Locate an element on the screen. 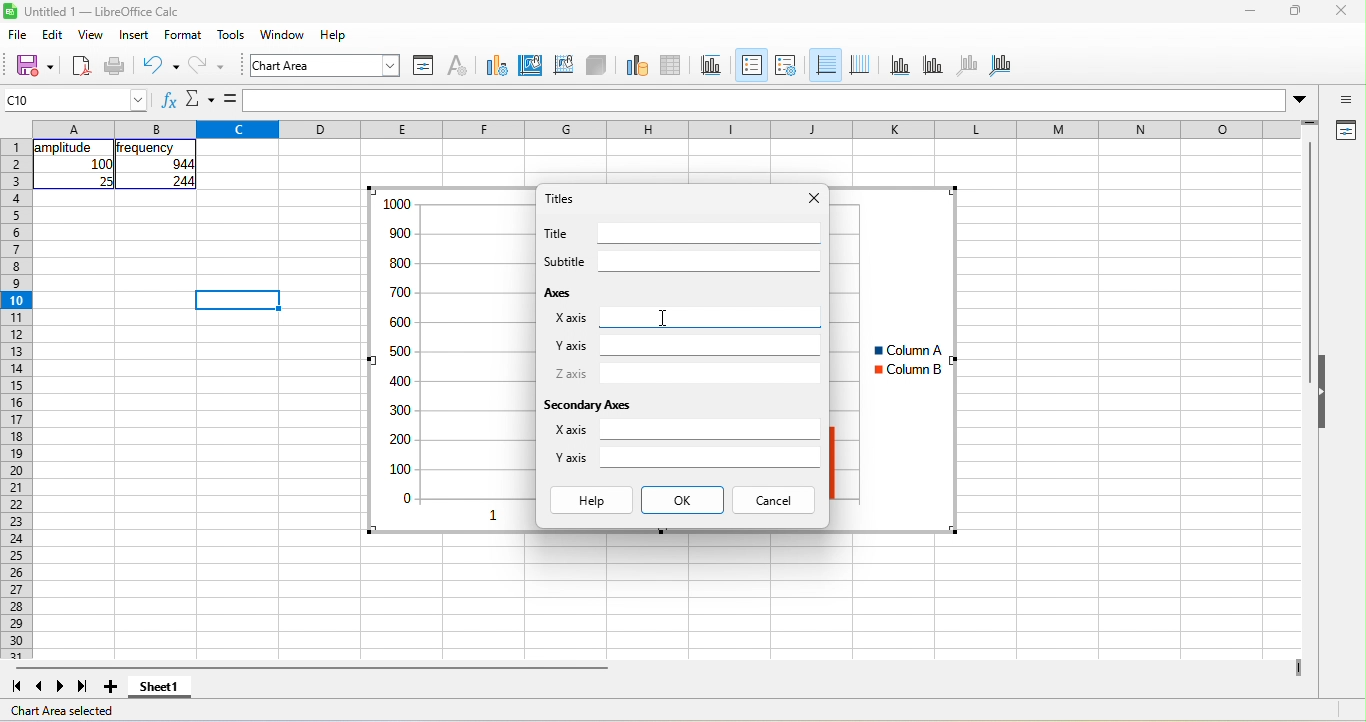  frequency is located at coordinates (145, 148).